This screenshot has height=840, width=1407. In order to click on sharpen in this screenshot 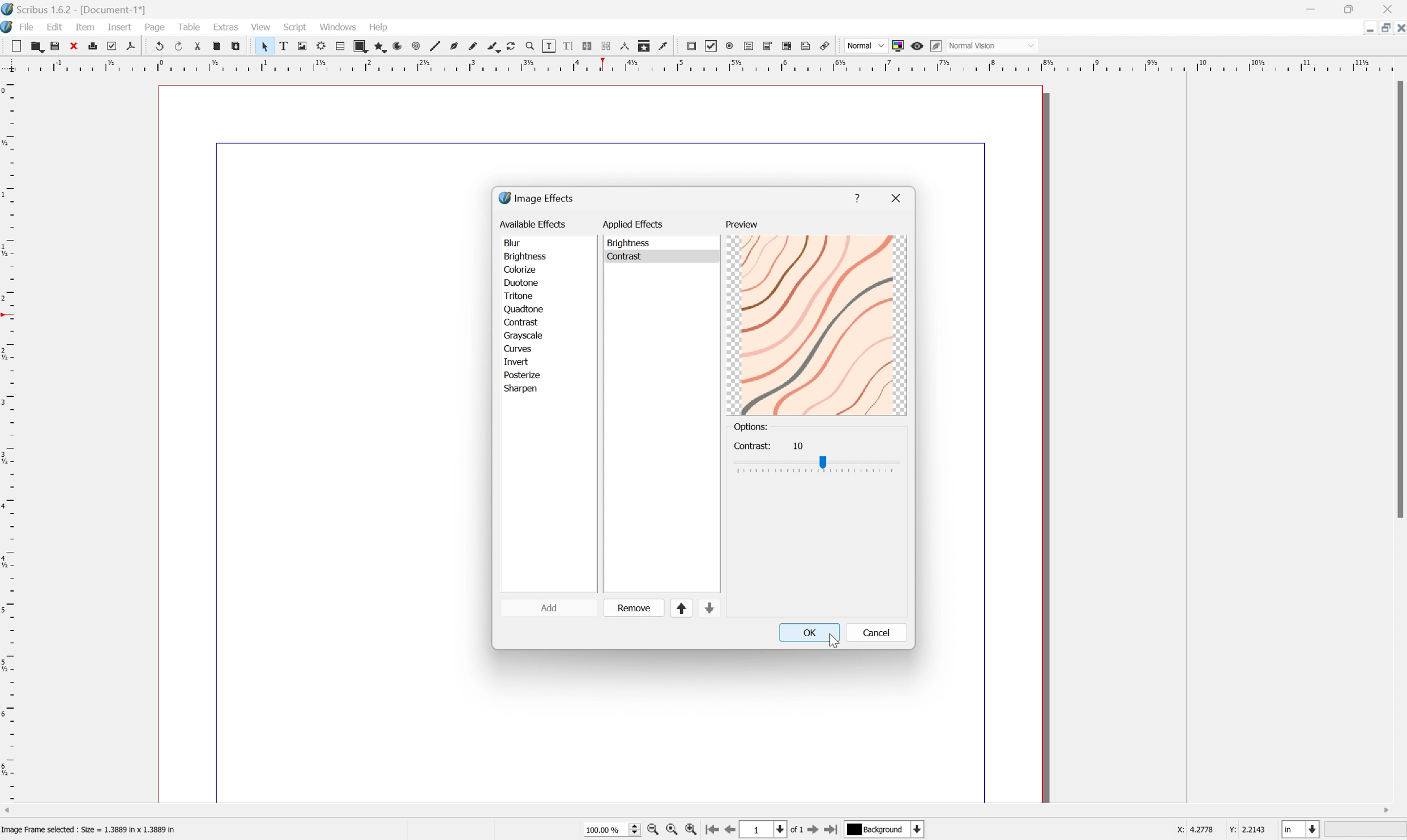, I will do `click(524, 391)`.